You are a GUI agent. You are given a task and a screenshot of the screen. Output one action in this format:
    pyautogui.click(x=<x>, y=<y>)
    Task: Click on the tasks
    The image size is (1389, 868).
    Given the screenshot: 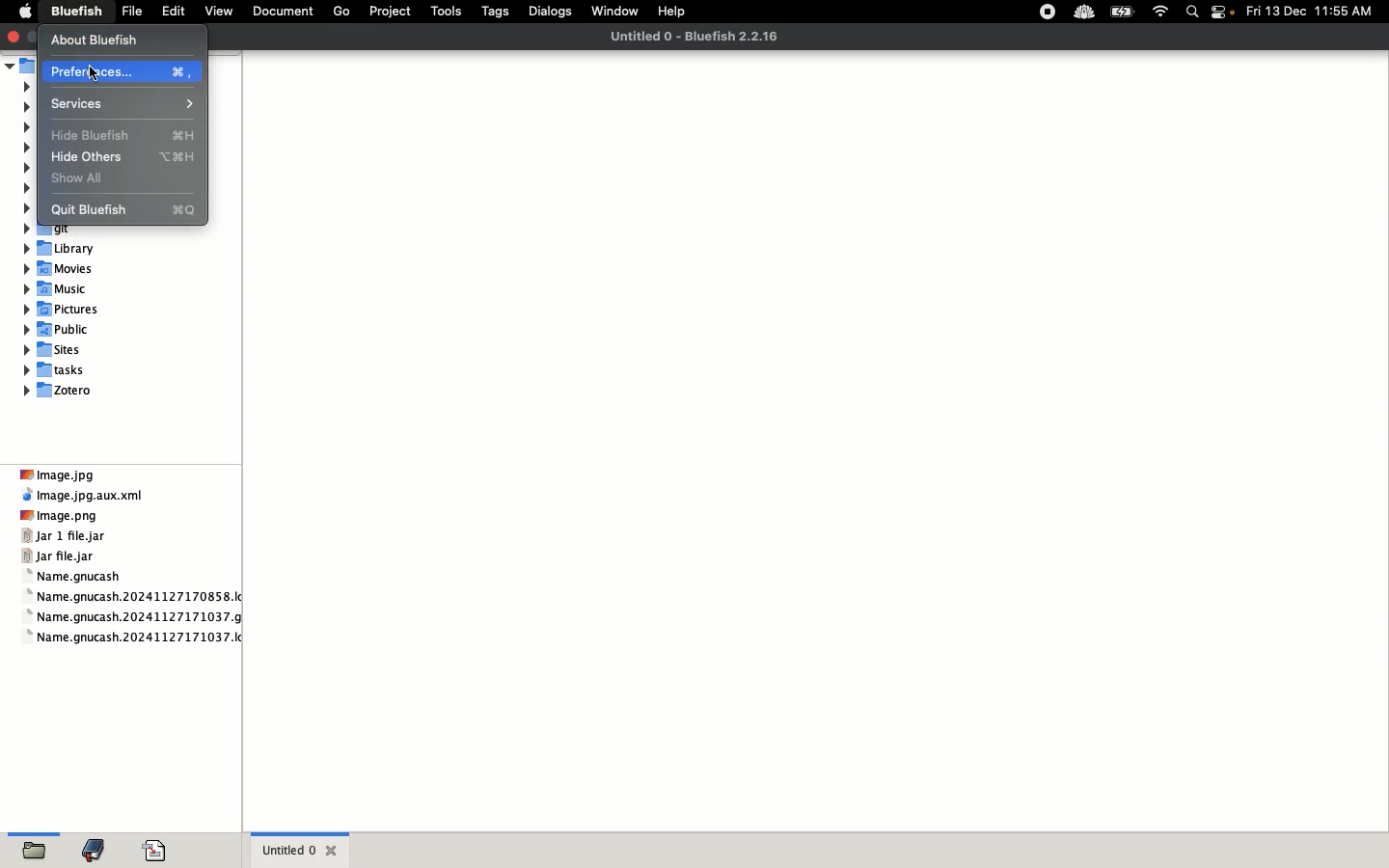 What is the action you would take?
    pyautogui.click(x=62, y=371)
    